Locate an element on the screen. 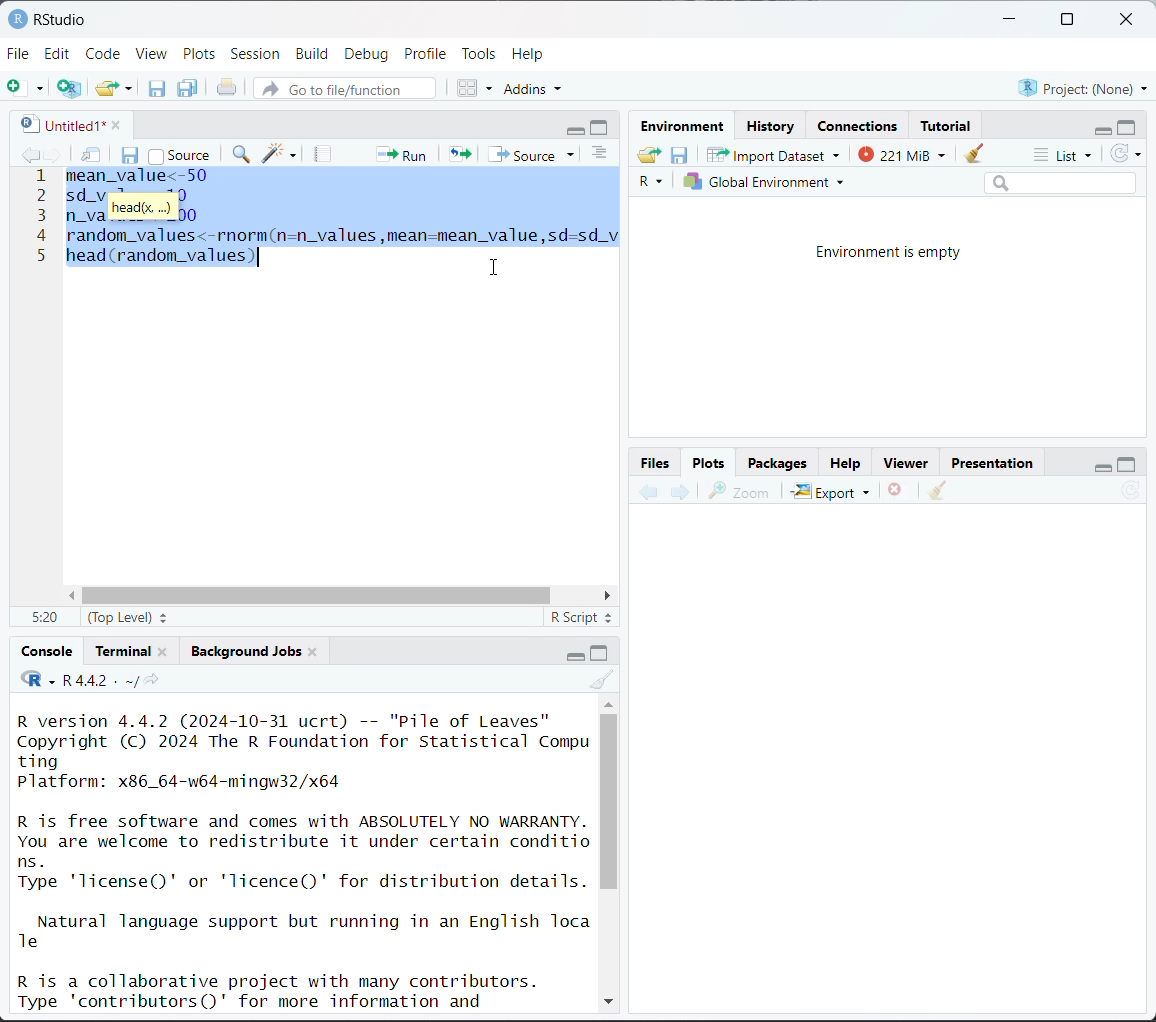  print the current file is located at coordinates (228, 88).